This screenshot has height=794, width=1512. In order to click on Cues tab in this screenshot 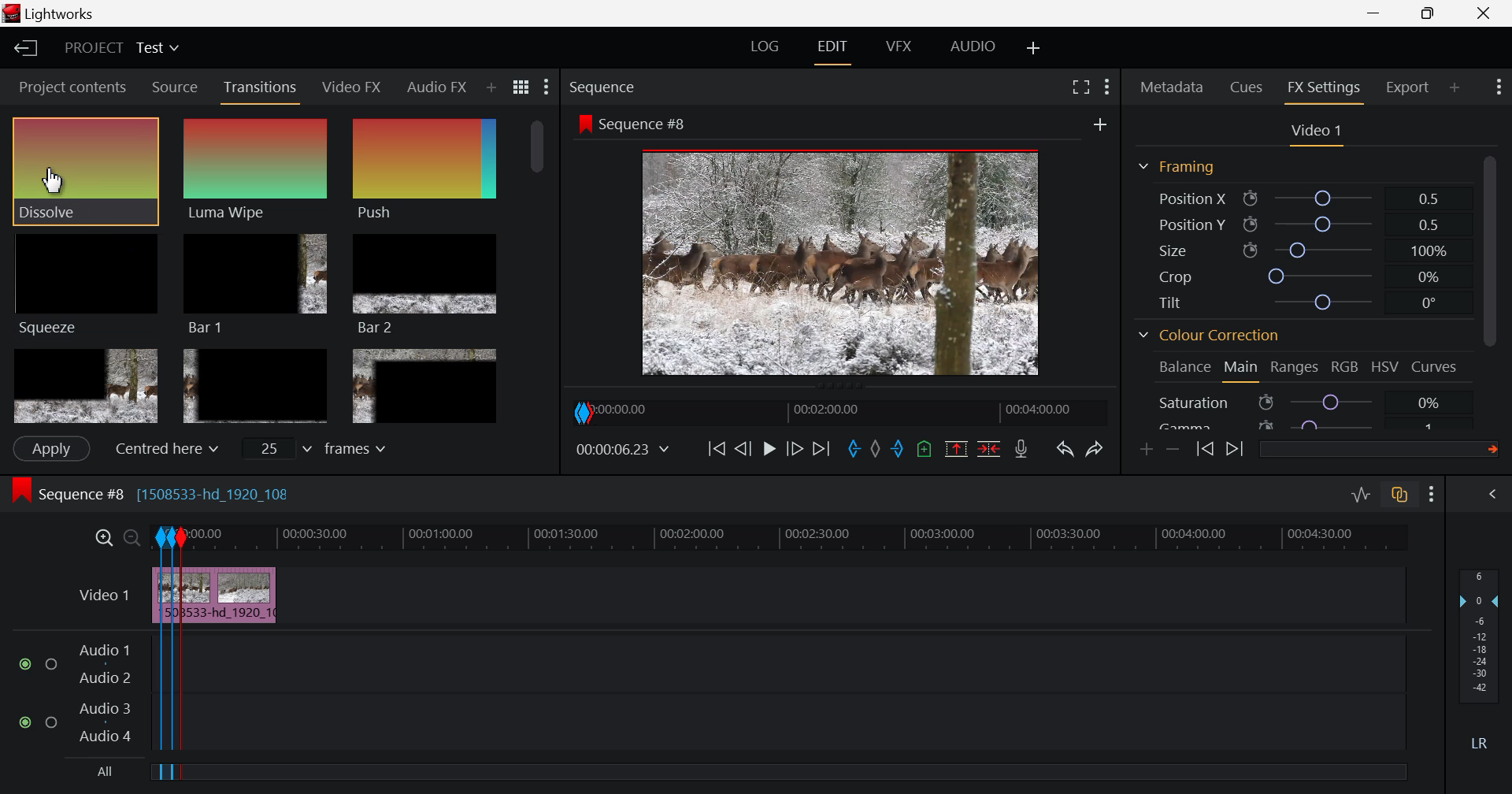, I will do `click(1247, 86)`.